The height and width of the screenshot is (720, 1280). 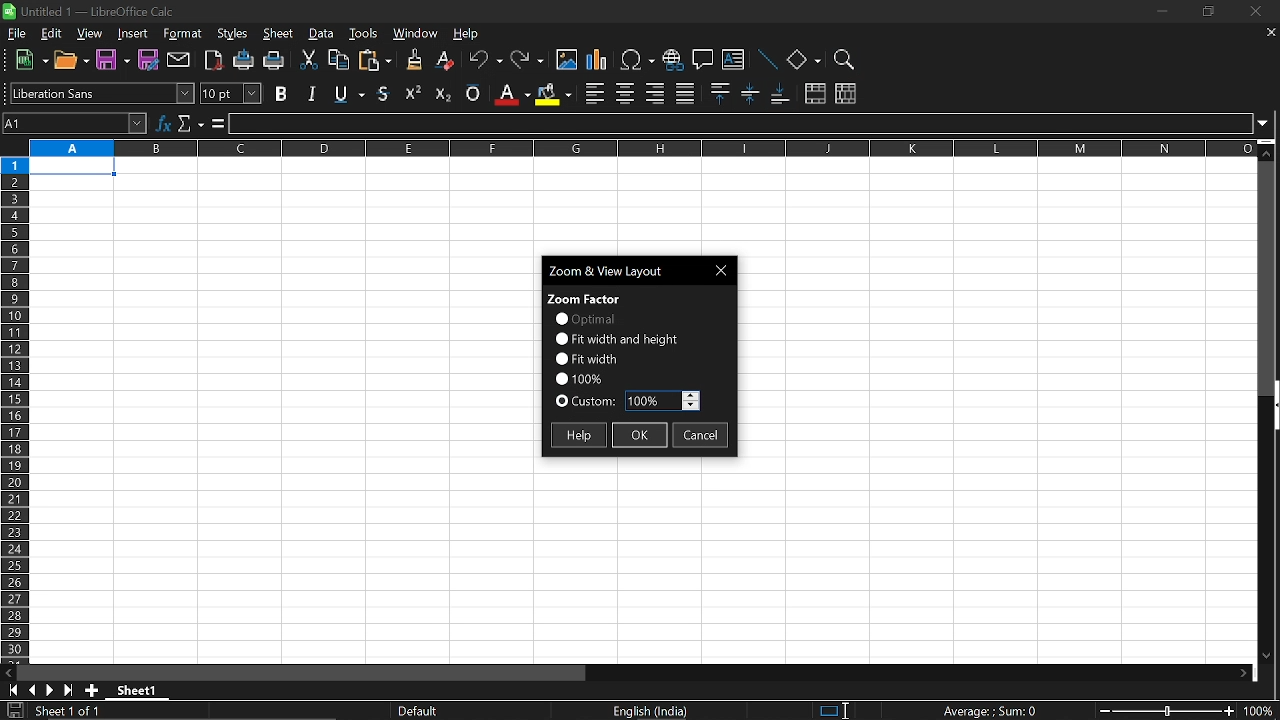 I want to click on minimize, so click(x=1160, y=11).